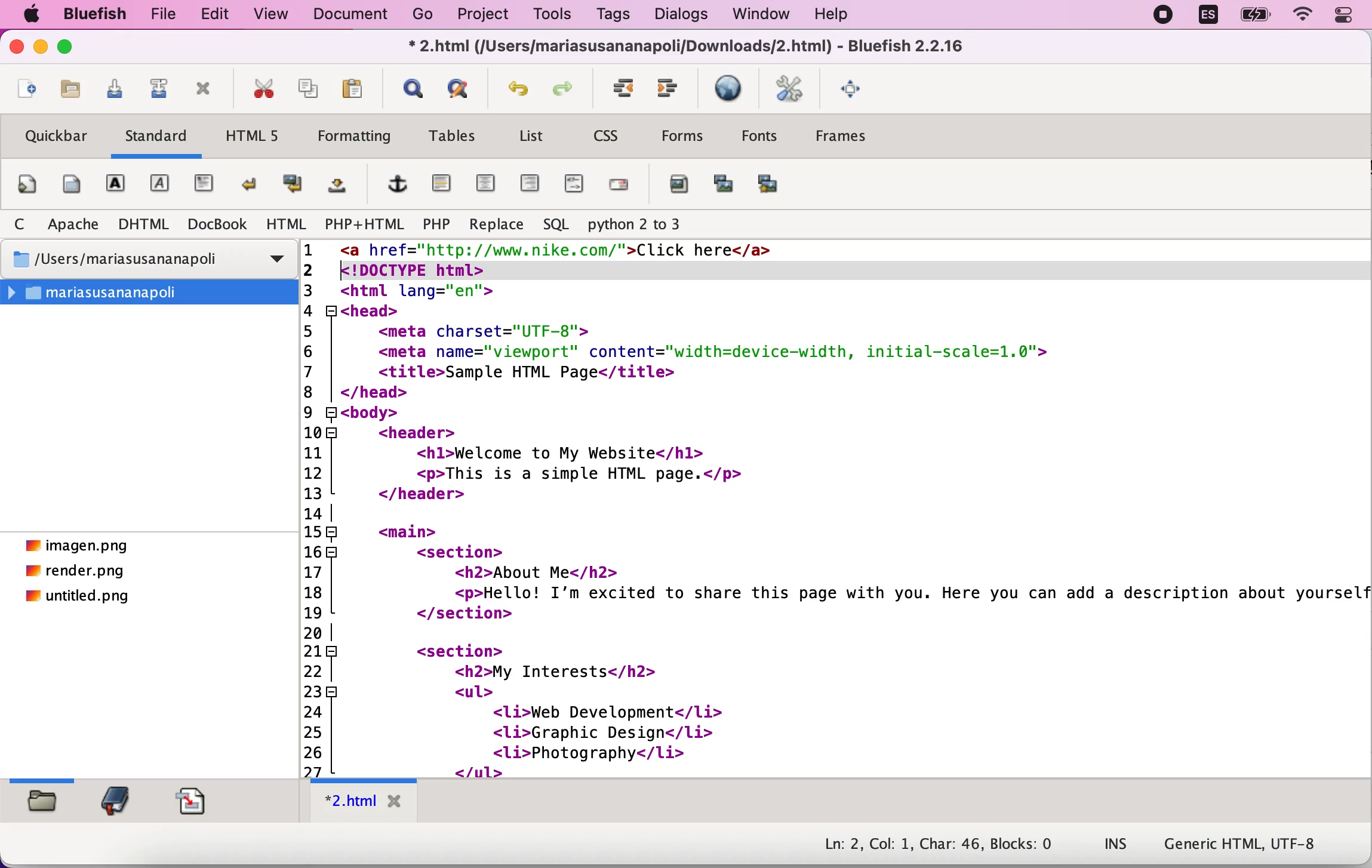 The image size is (1372, 868). Describe the element at coordinates (27, 184) in the screenshot. I see `quickstart` at that location.